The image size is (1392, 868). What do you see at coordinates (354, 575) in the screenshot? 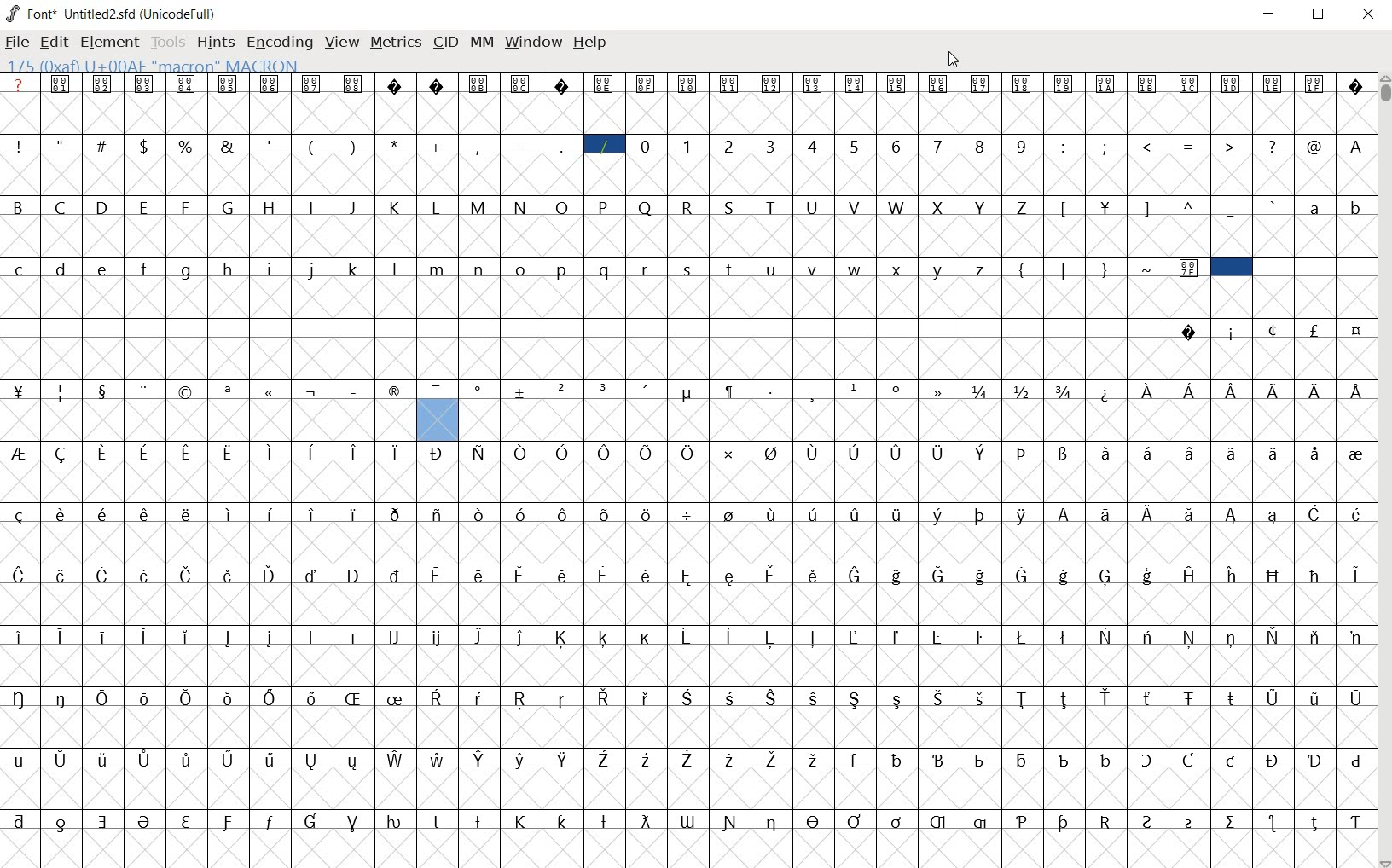
I see `Symbol` at bounding box center [354, 575].